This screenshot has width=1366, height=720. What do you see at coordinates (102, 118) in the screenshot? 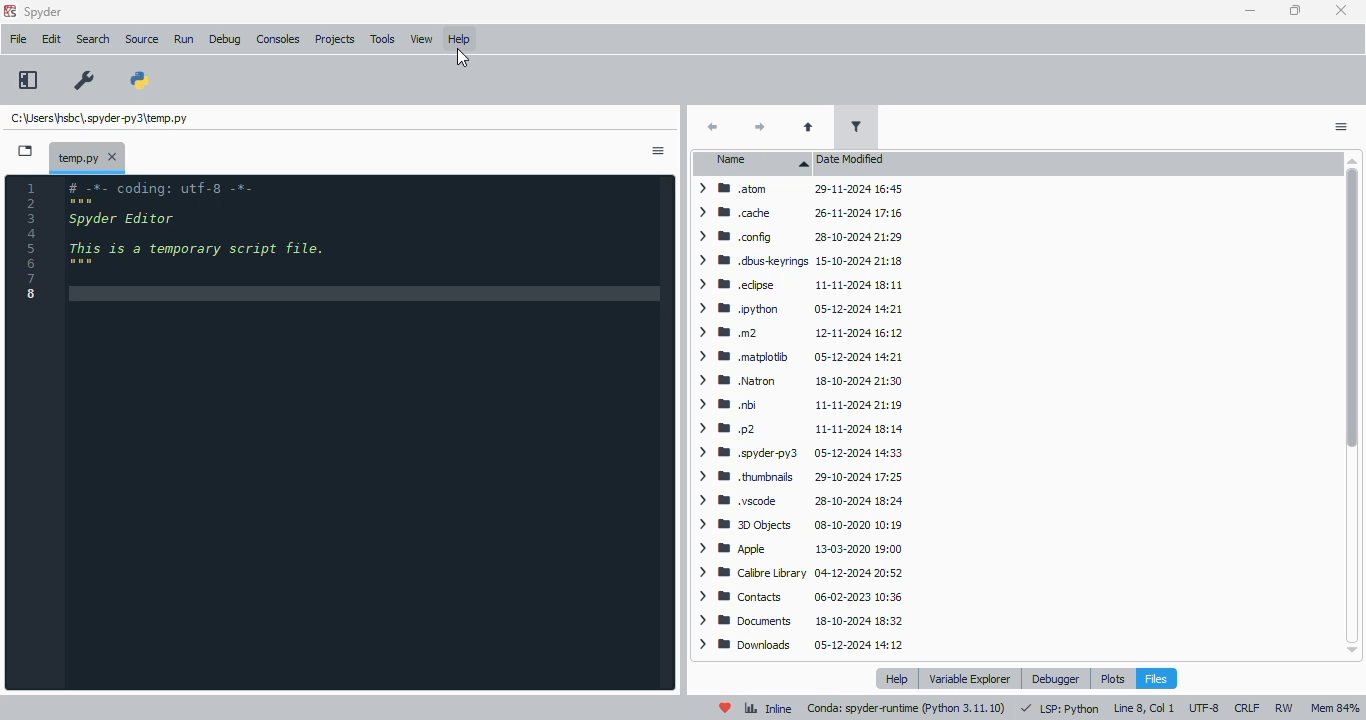
I see `temporary file` at bounding box center [102, 118].